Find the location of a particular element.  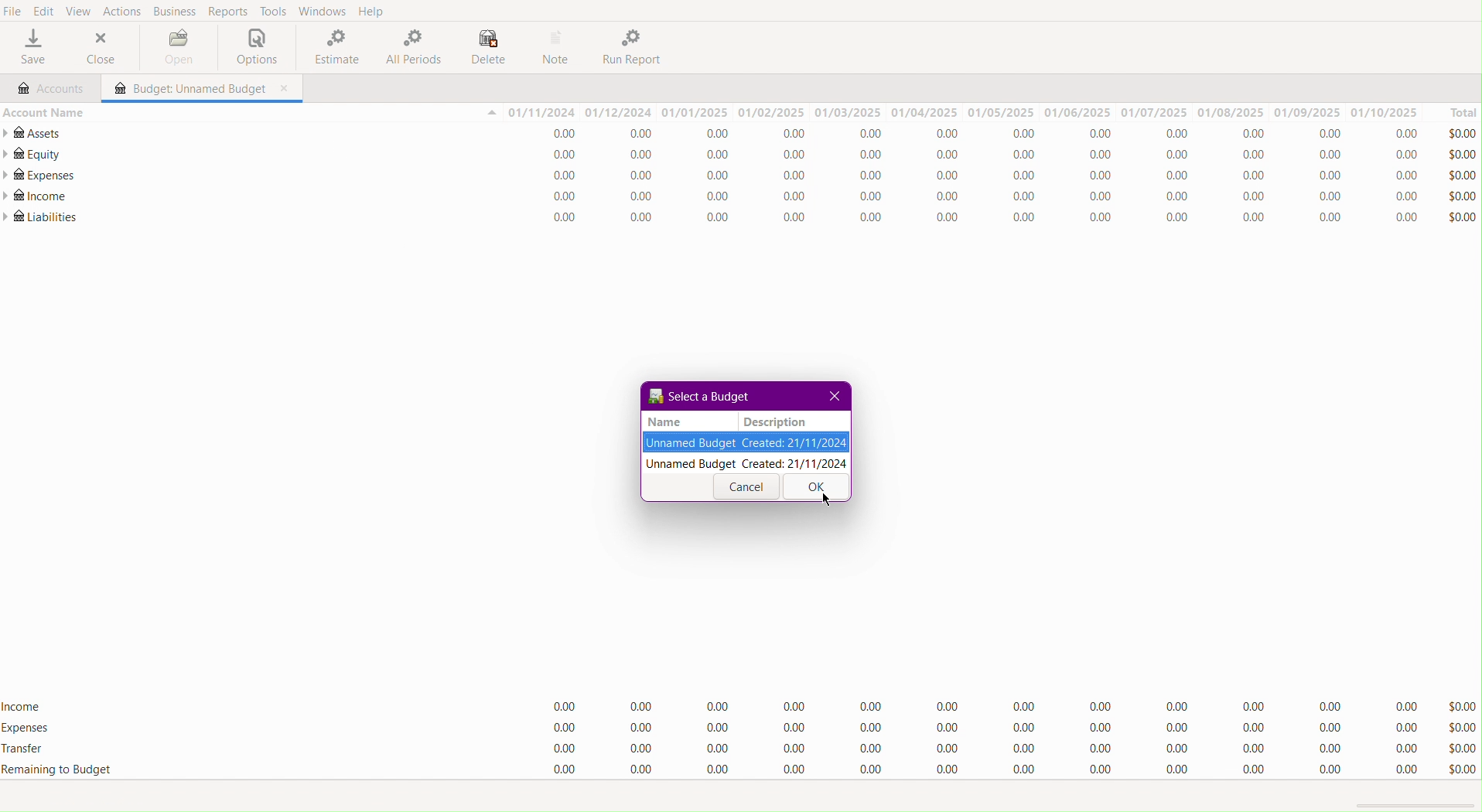

Remaining Budget is located at coordinates (57, 769).